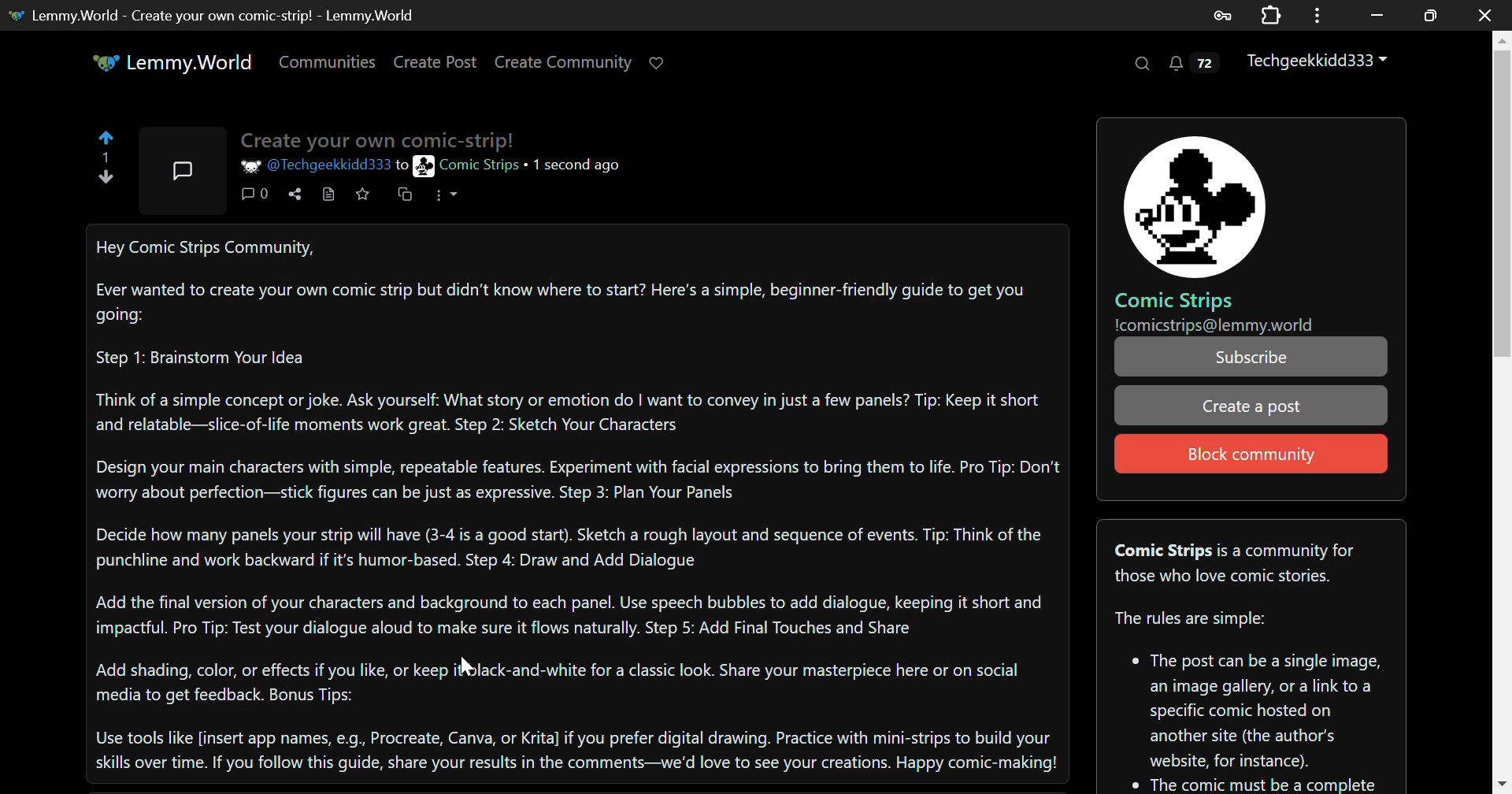  Describe the element at coordinates (186, 169) in the screenshot. I see `Community Post Icon` at that location.